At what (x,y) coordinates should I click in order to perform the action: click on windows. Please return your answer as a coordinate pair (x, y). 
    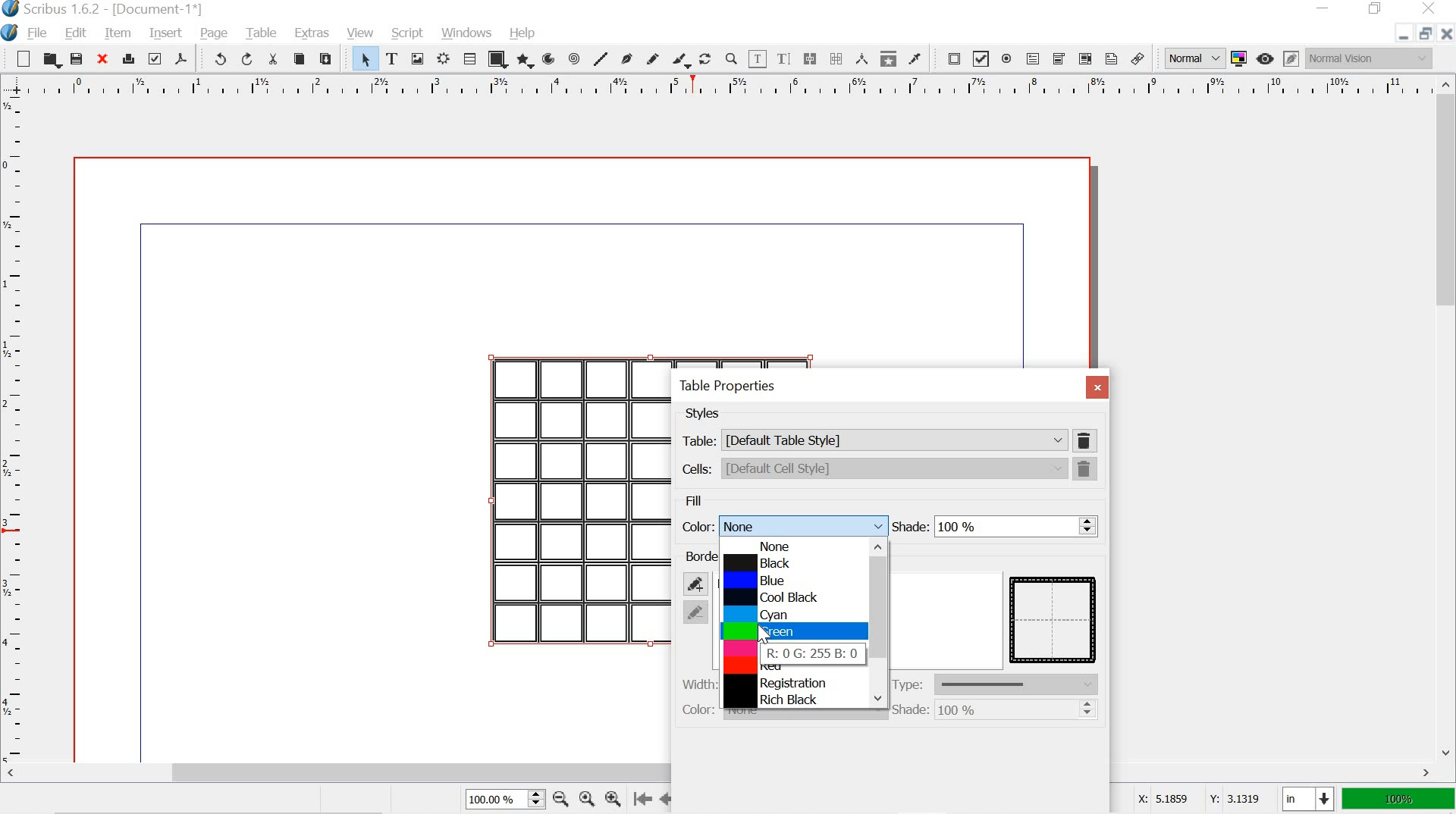
    Looking at the image, I should click on (469, 33).